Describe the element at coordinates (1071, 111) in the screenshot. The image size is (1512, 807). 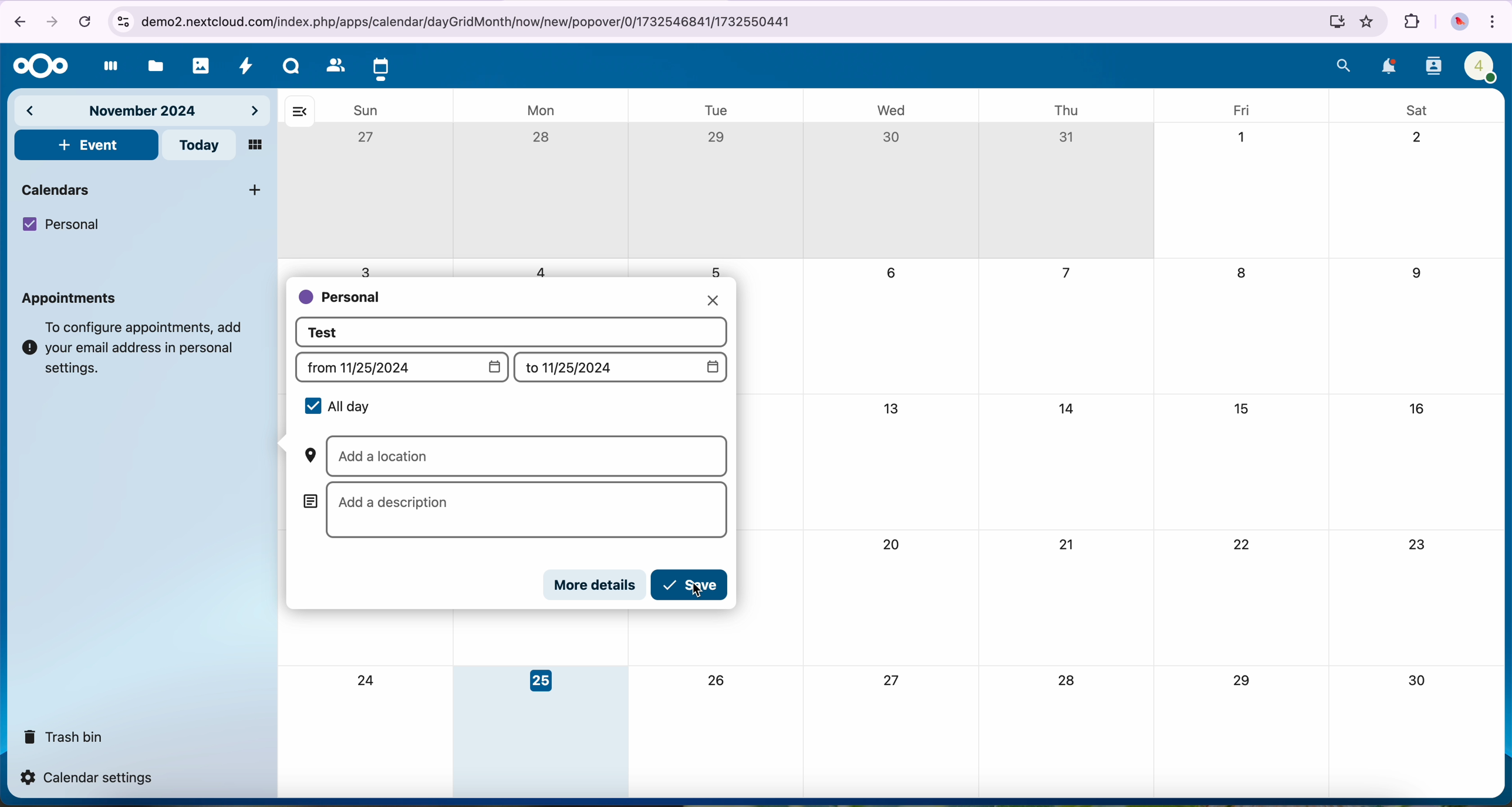
I see `thu` at that location.